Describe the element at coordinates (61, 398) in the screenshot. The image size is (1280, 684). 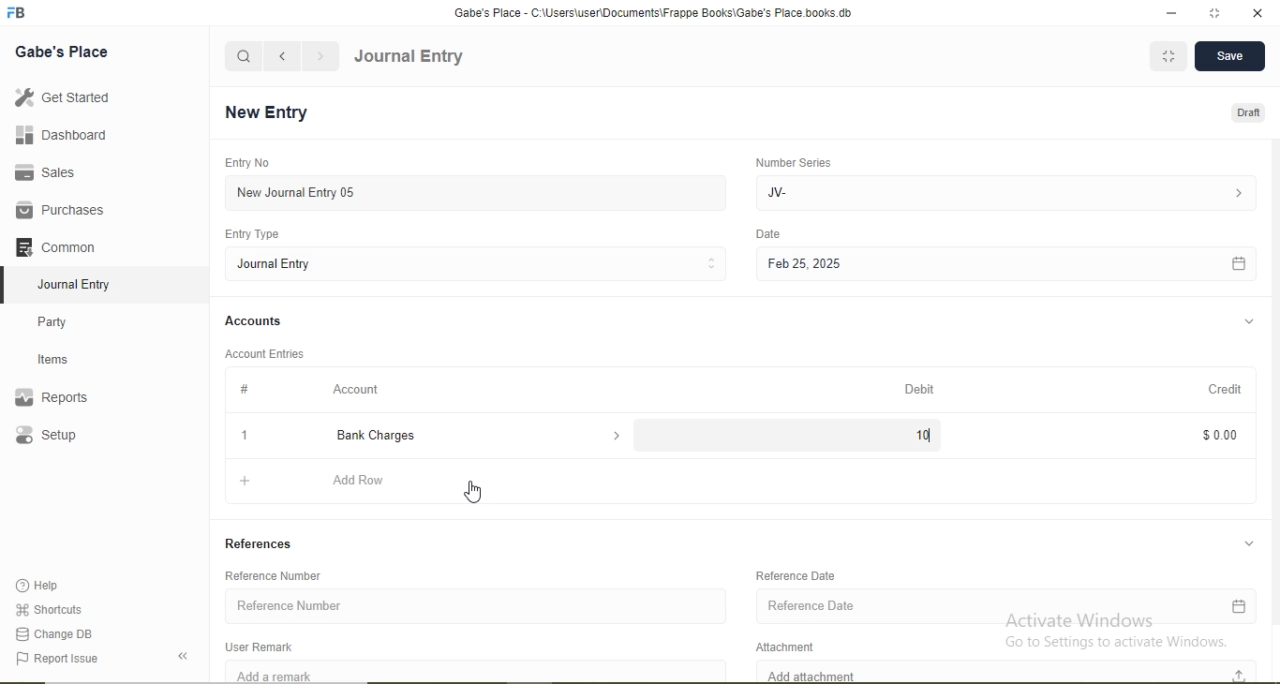
I see `Reports` at that location.